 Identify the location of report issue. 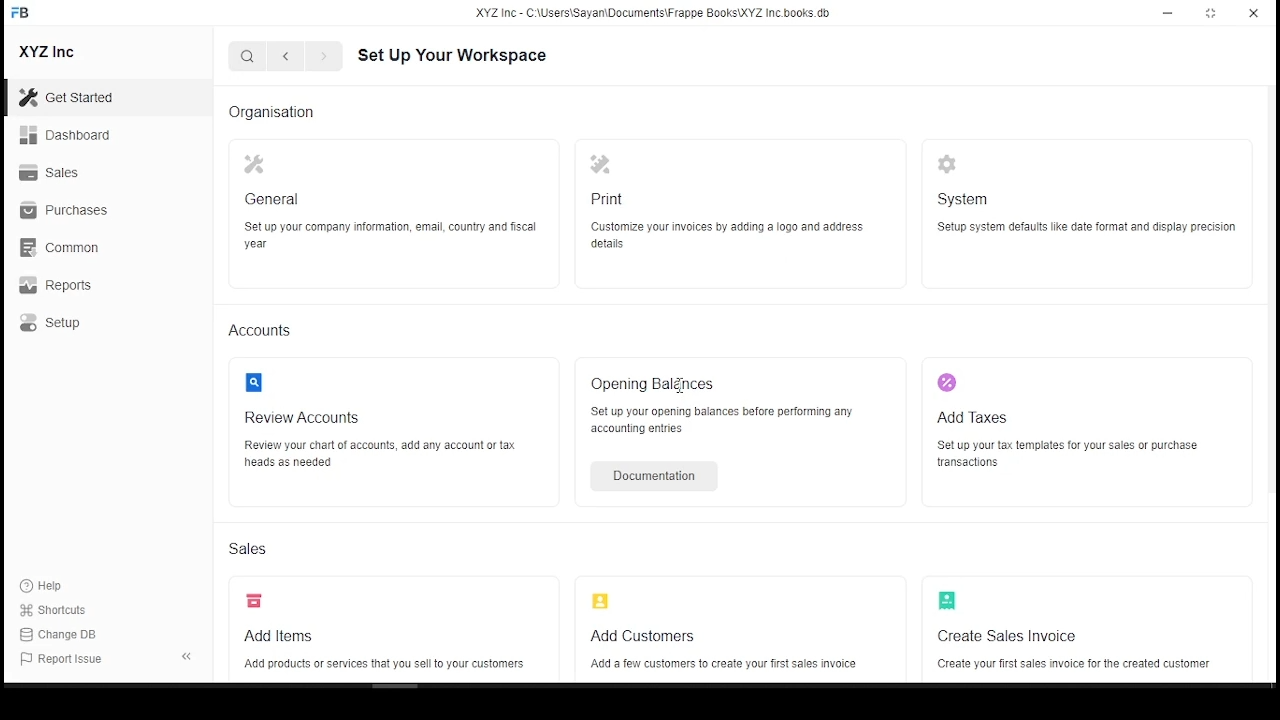
(69, 662).